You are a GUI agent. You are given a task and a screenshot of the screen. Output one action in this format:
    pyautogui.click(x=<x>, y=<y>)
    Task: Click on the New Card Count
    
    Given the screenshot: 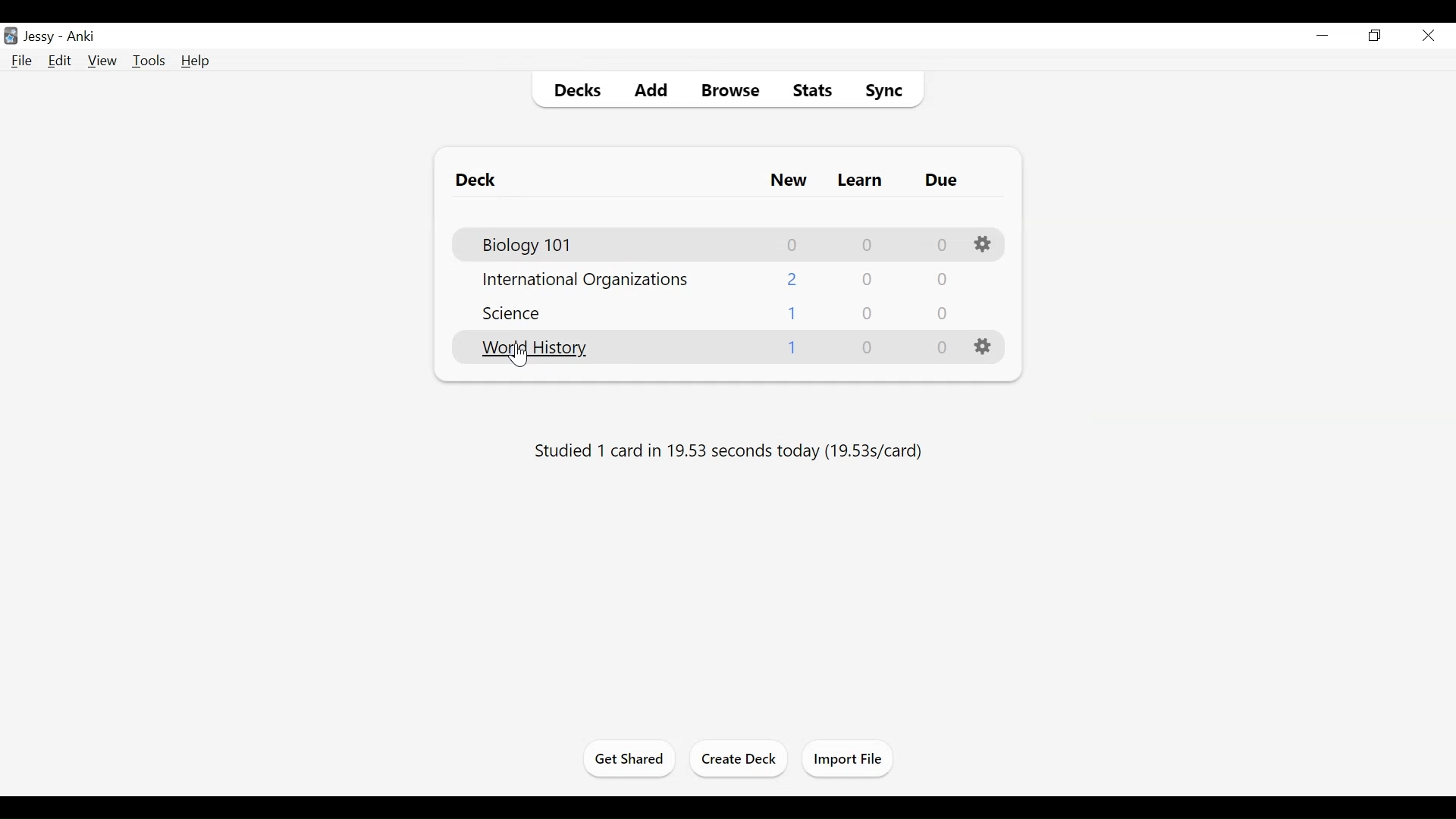 What is the action you would take?
    pyautogui.click(x=793, y=244)
    